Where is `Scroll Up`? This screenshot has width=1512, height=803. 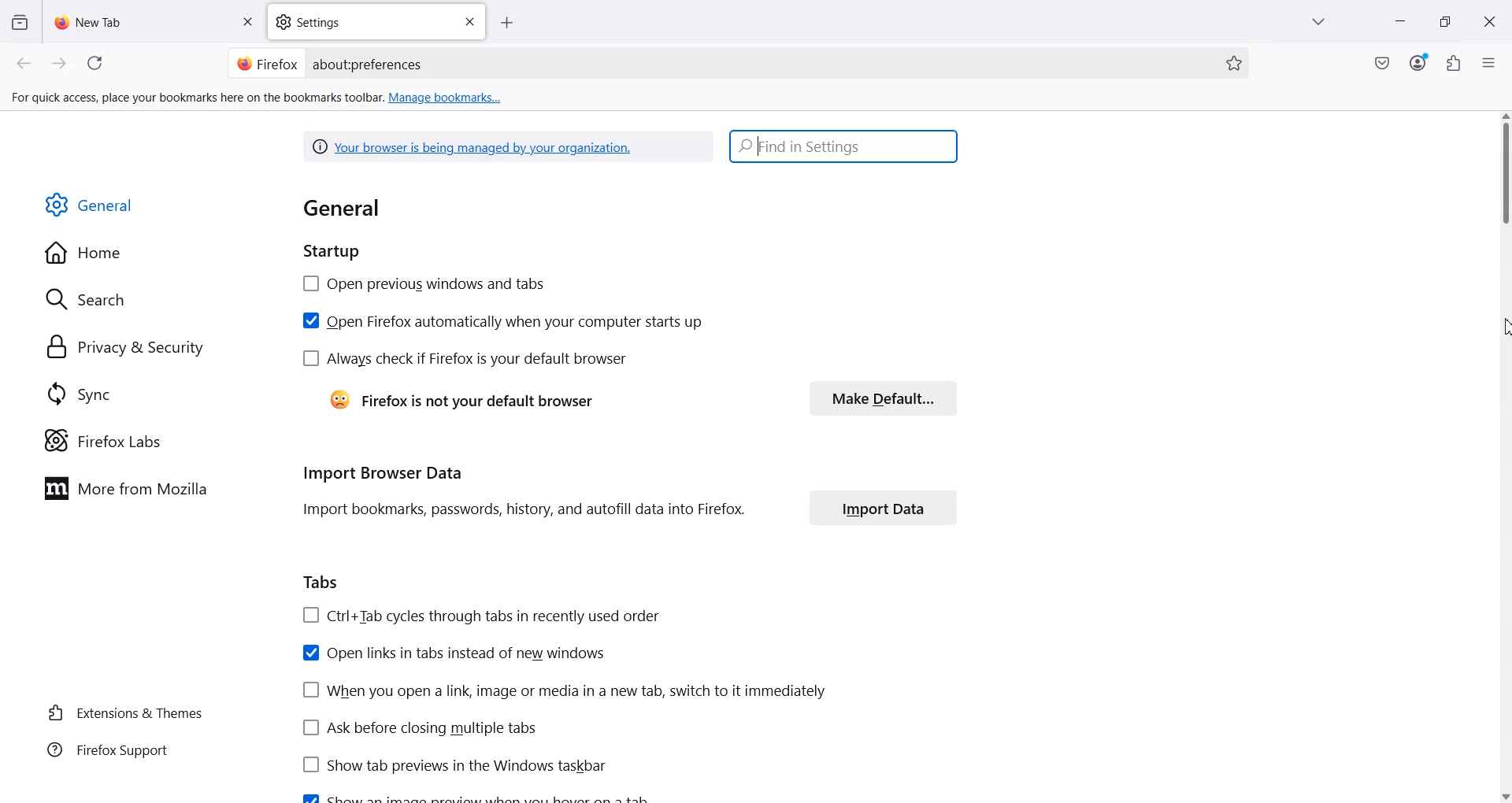
Scroll Up is located at coordinates (1503, 116).